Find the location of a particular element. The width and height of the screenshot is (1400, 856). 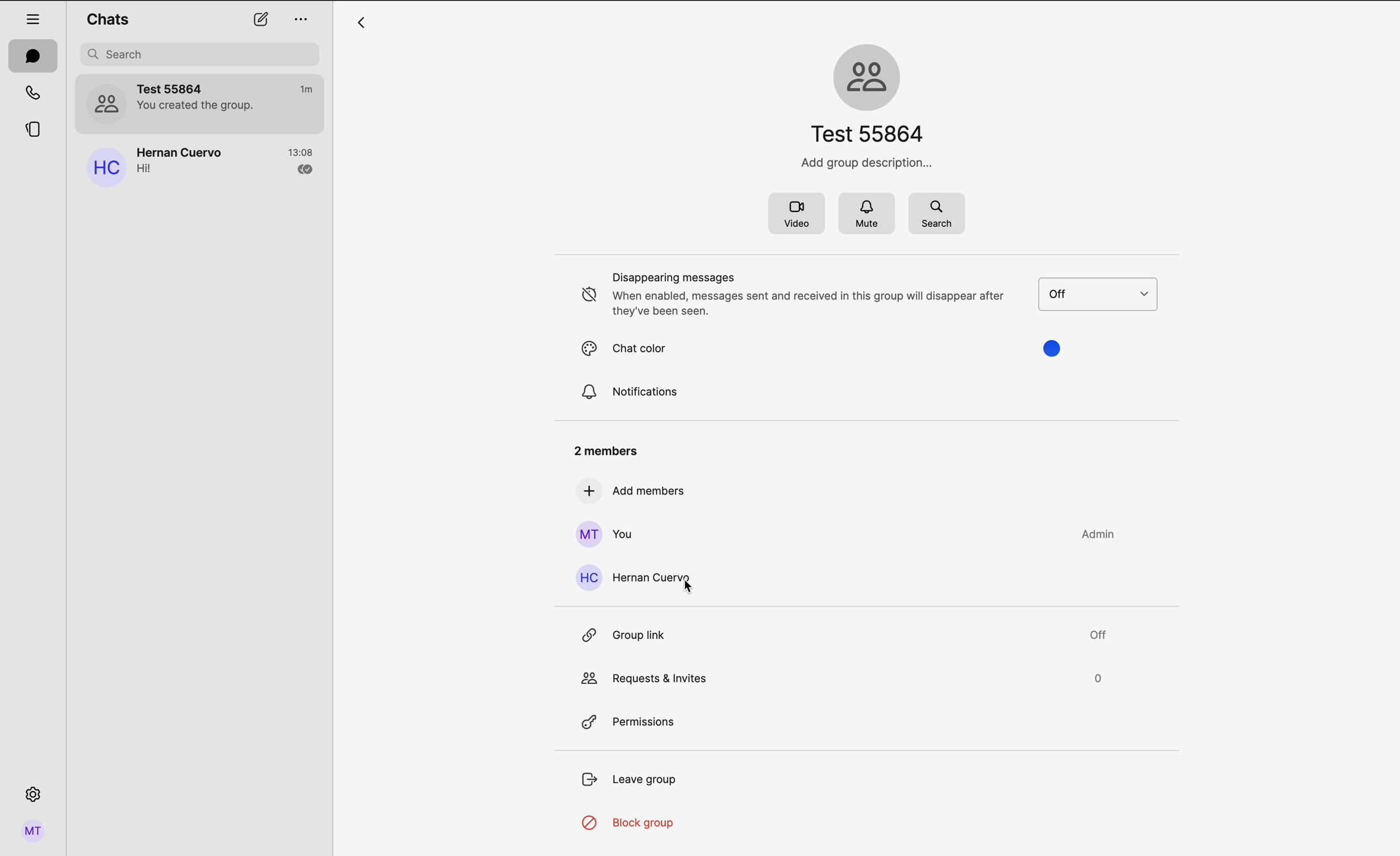

Hernan Cuervo chat is located at coordinates (198, 165).